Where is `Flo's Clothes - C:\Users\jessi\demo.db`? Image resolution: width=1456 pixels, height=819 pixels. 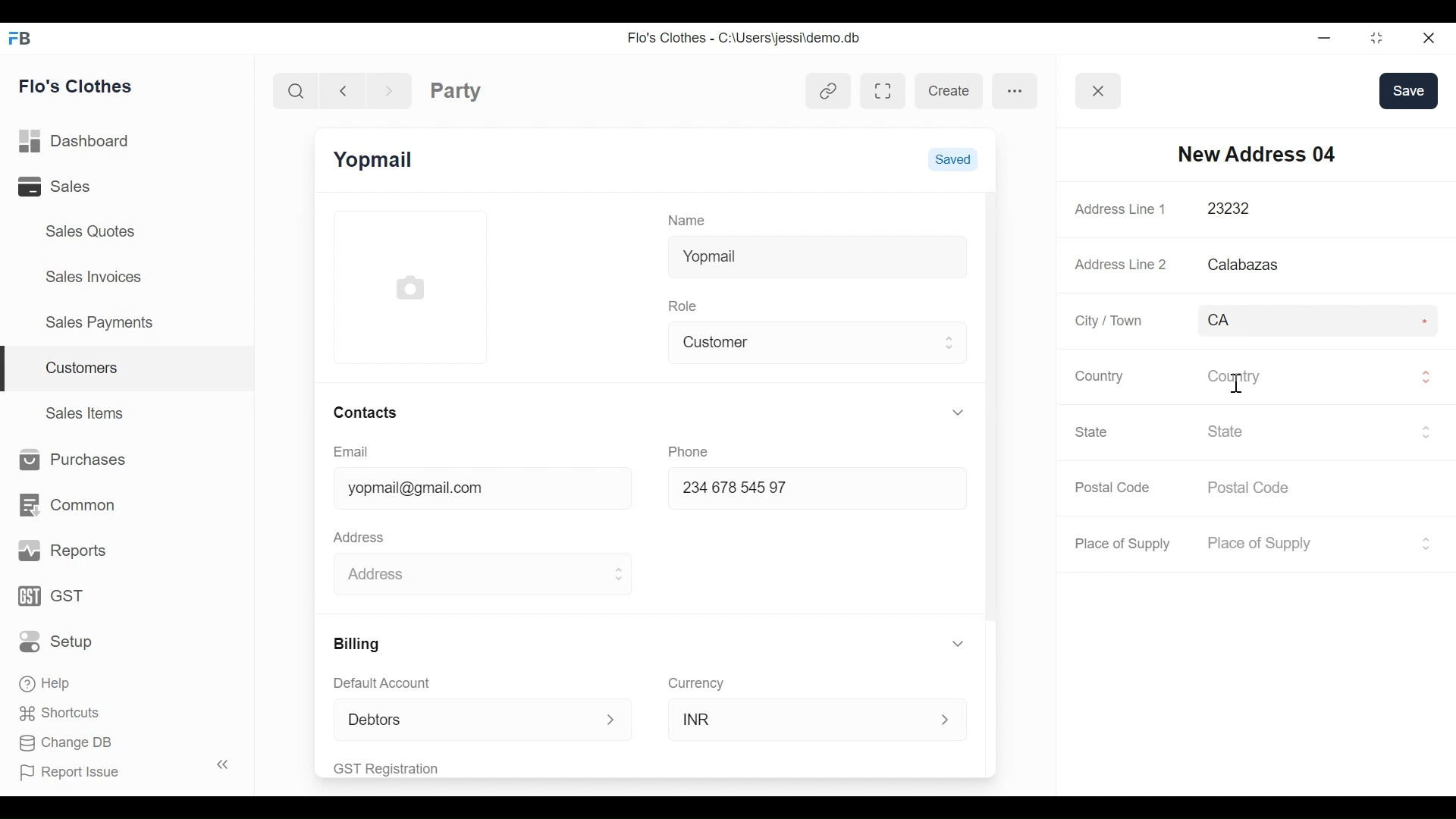
Flo's Clothes - C:\Users\jessi\demo.db is located at coordinates (746, 39).